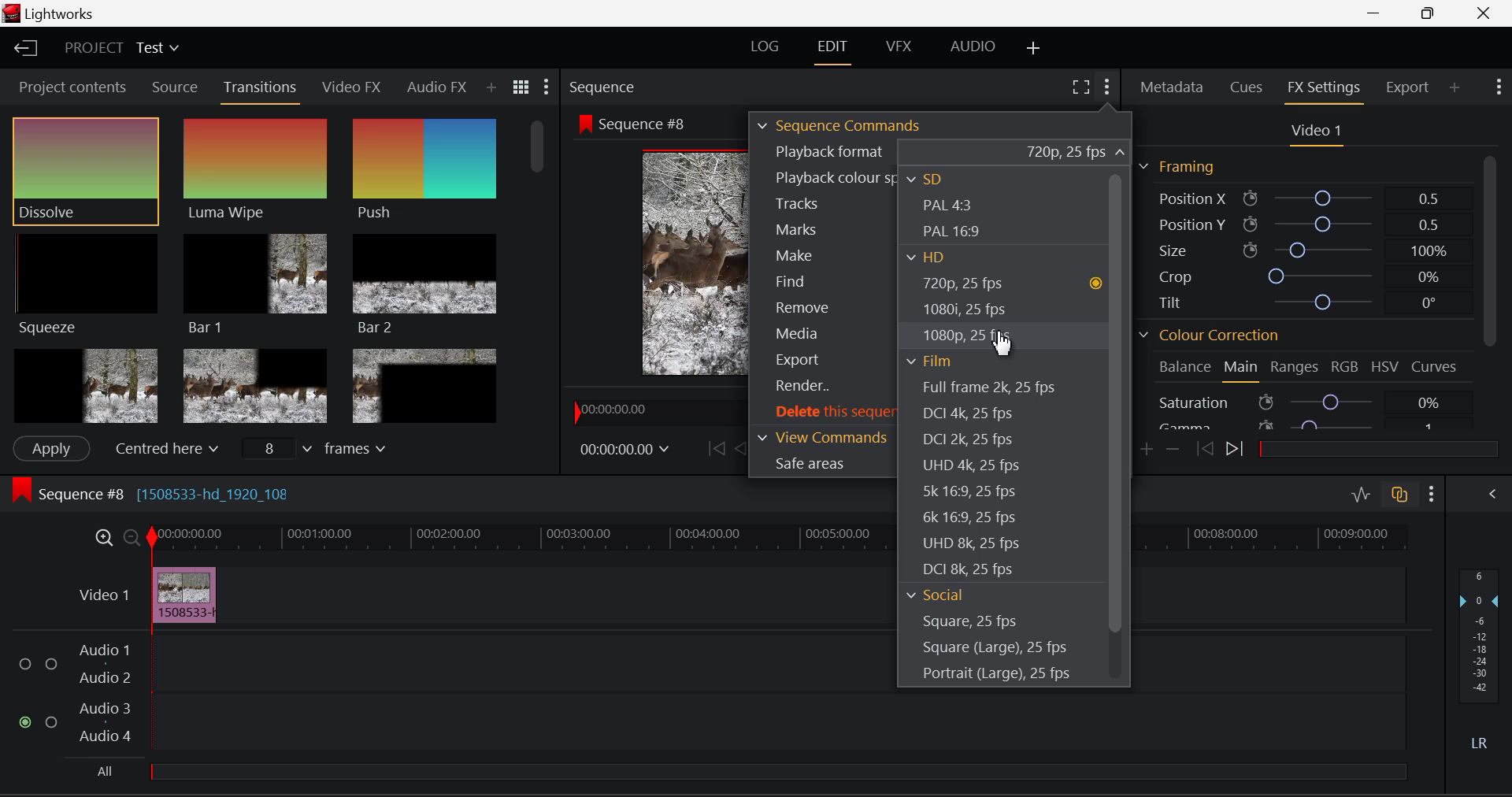  I want to click on Settings Menu Open, so click(1106, 84).